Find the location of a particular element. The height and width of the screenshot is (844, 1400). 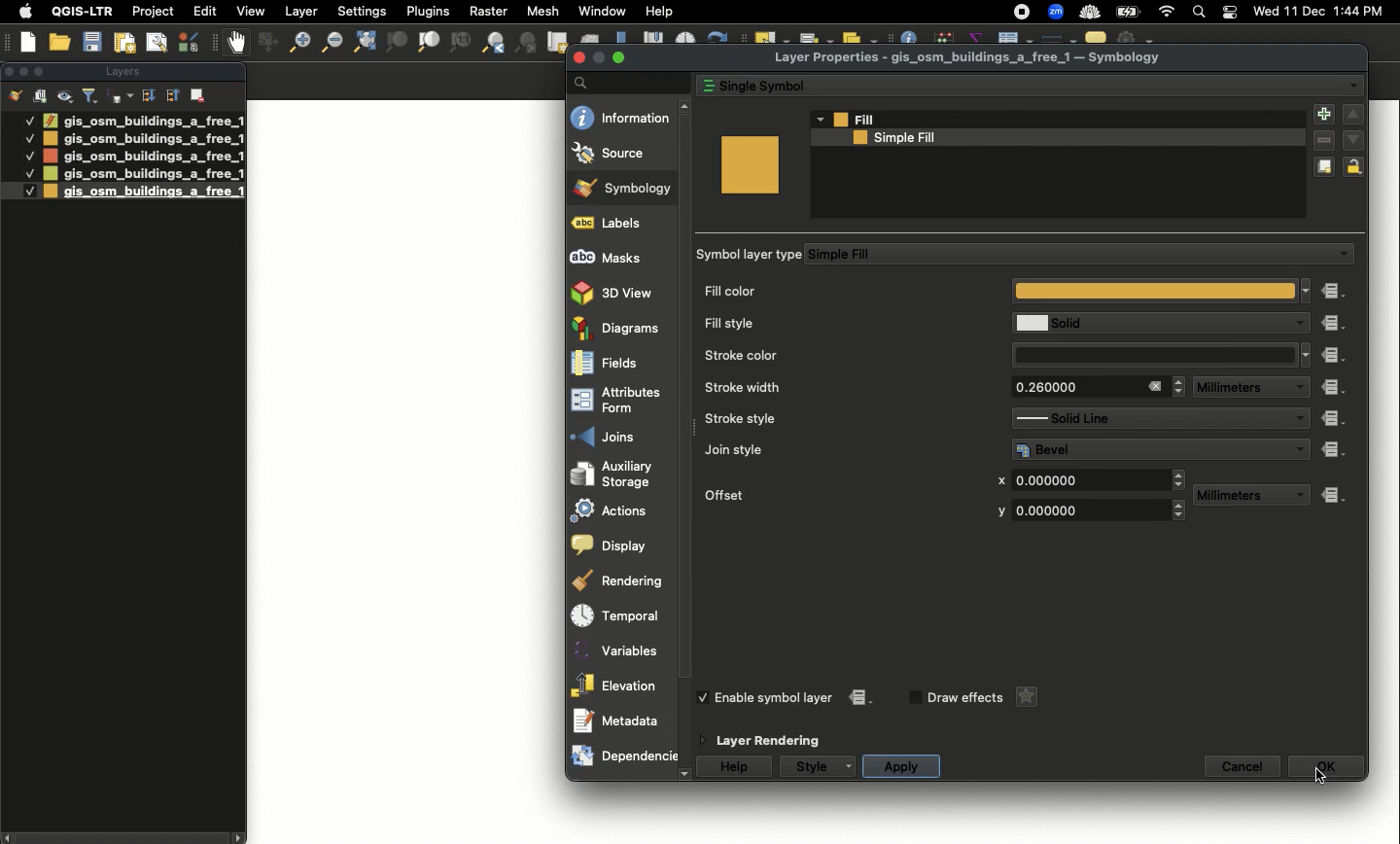

 is located at coordinates (1338, 290).